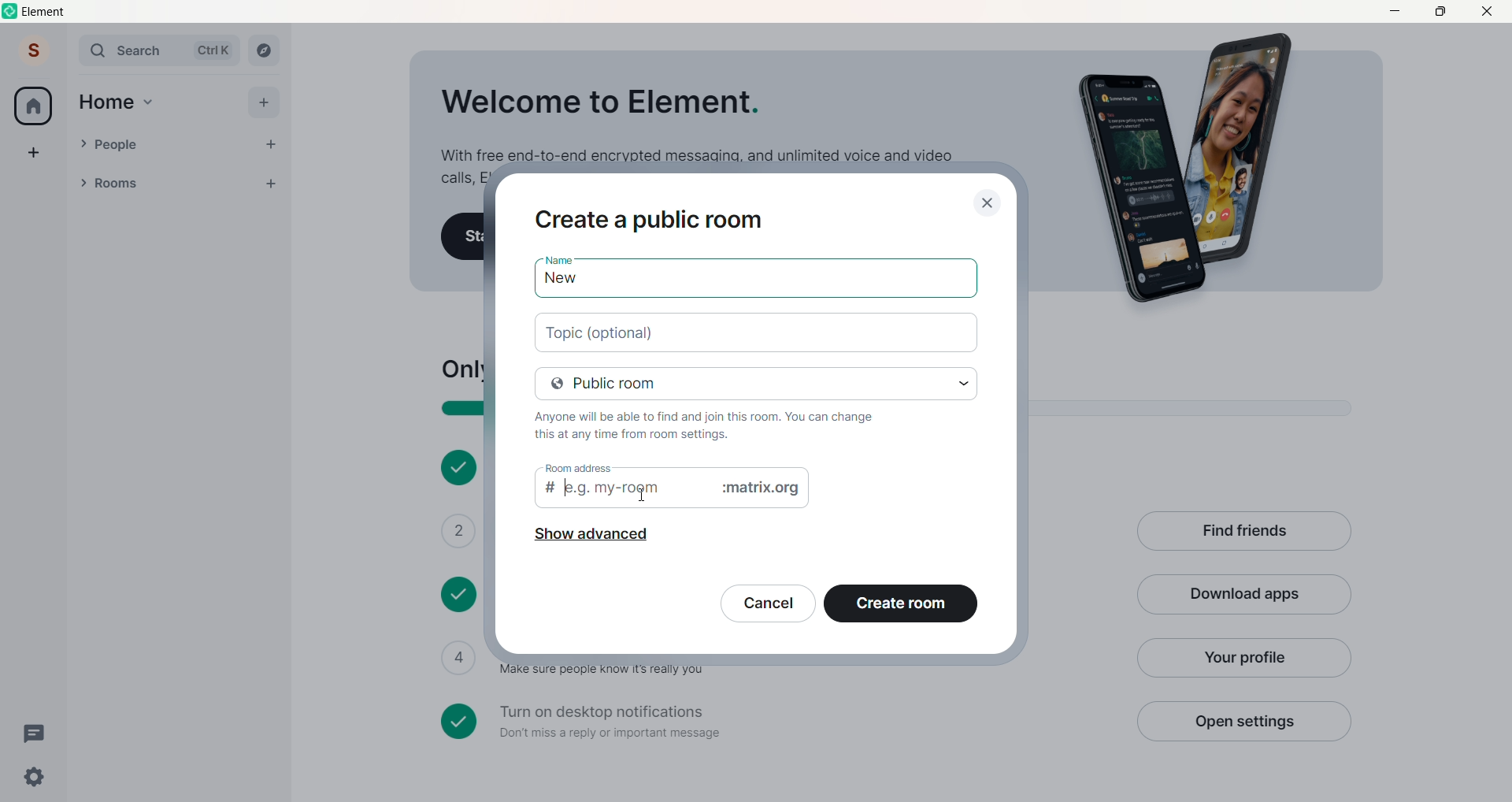 This screenshot has width=1512, height=802. I want to click on Rooms, so click(158, 184).